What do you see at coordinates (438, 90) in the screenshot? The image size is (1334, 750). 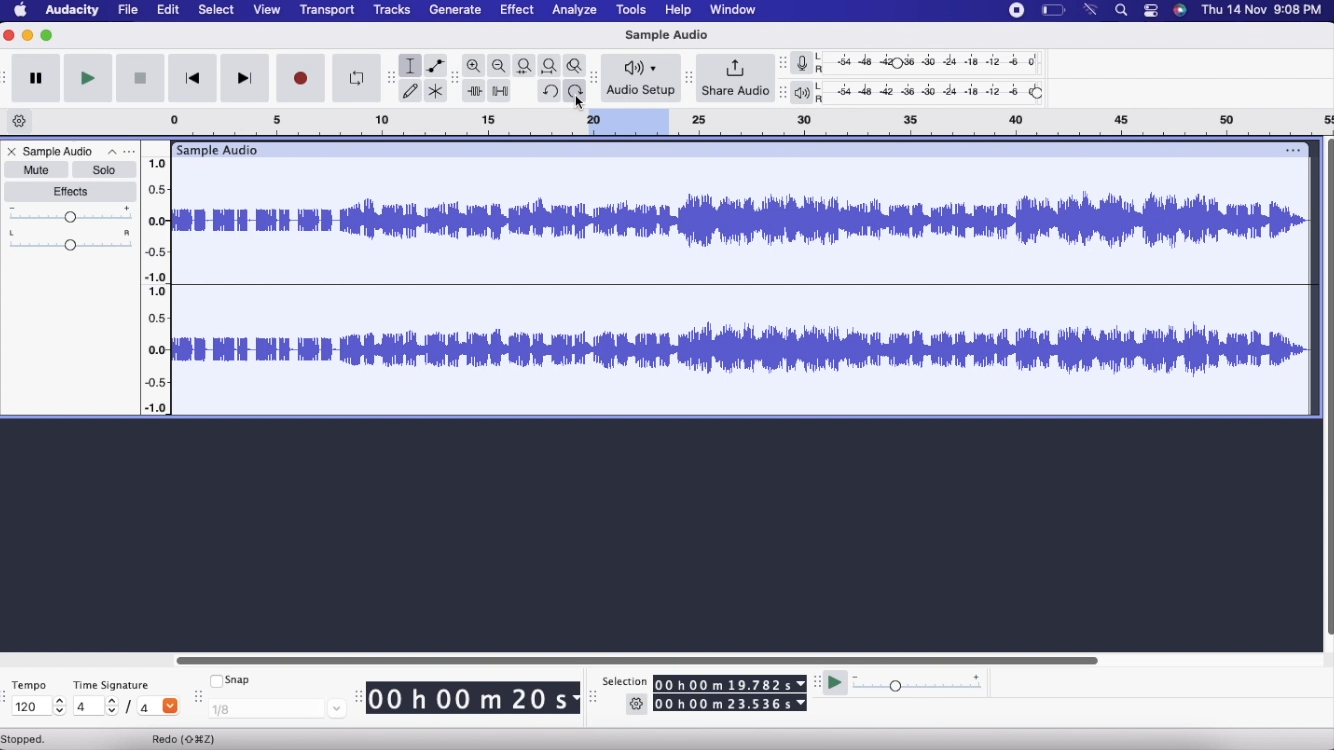 I see `Multi-tool` at bounding box center [438, 90].